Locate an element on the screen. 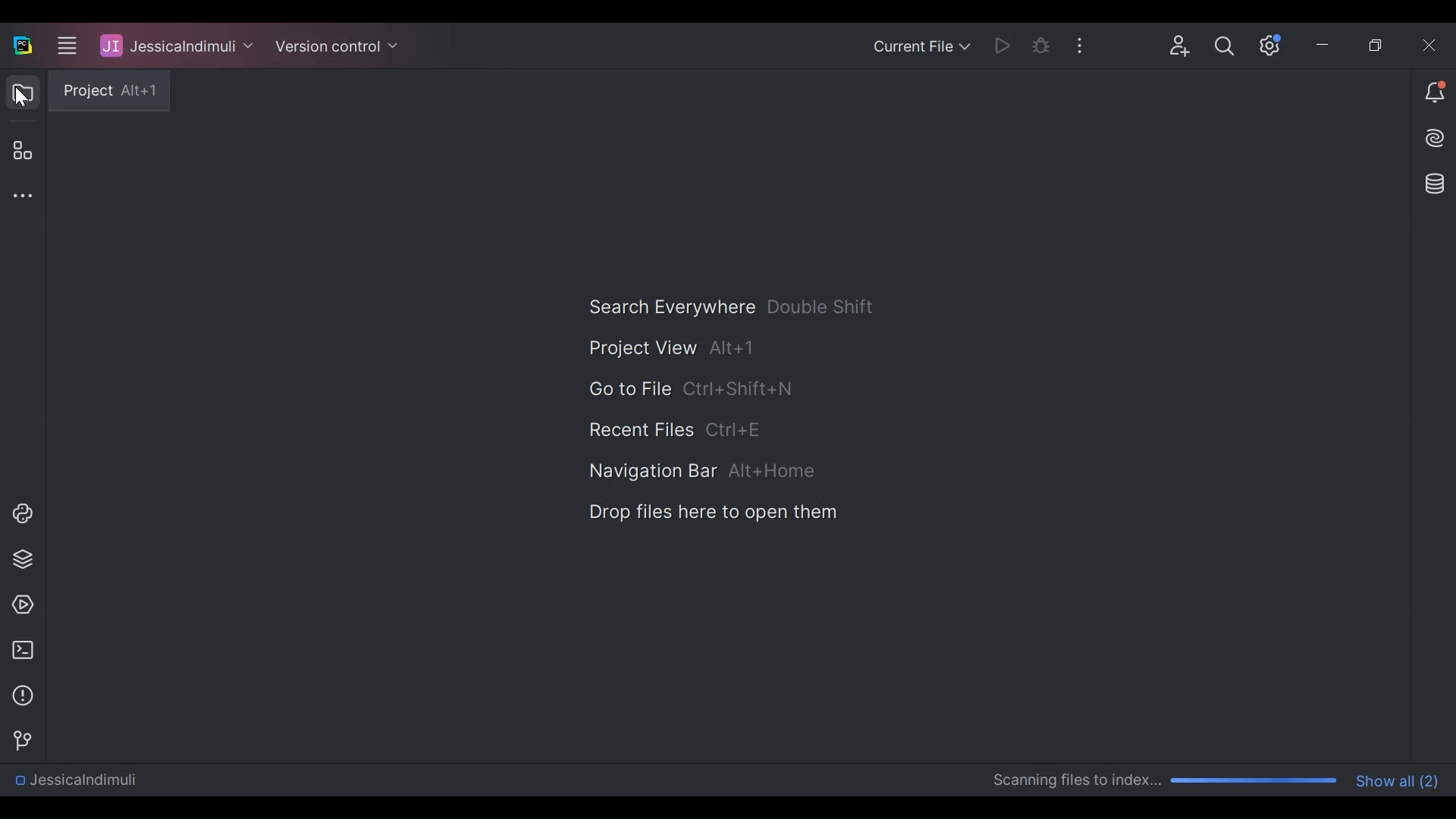 This screenshot has width=1456, height=819. Close is located at coordinates (1429, 45).